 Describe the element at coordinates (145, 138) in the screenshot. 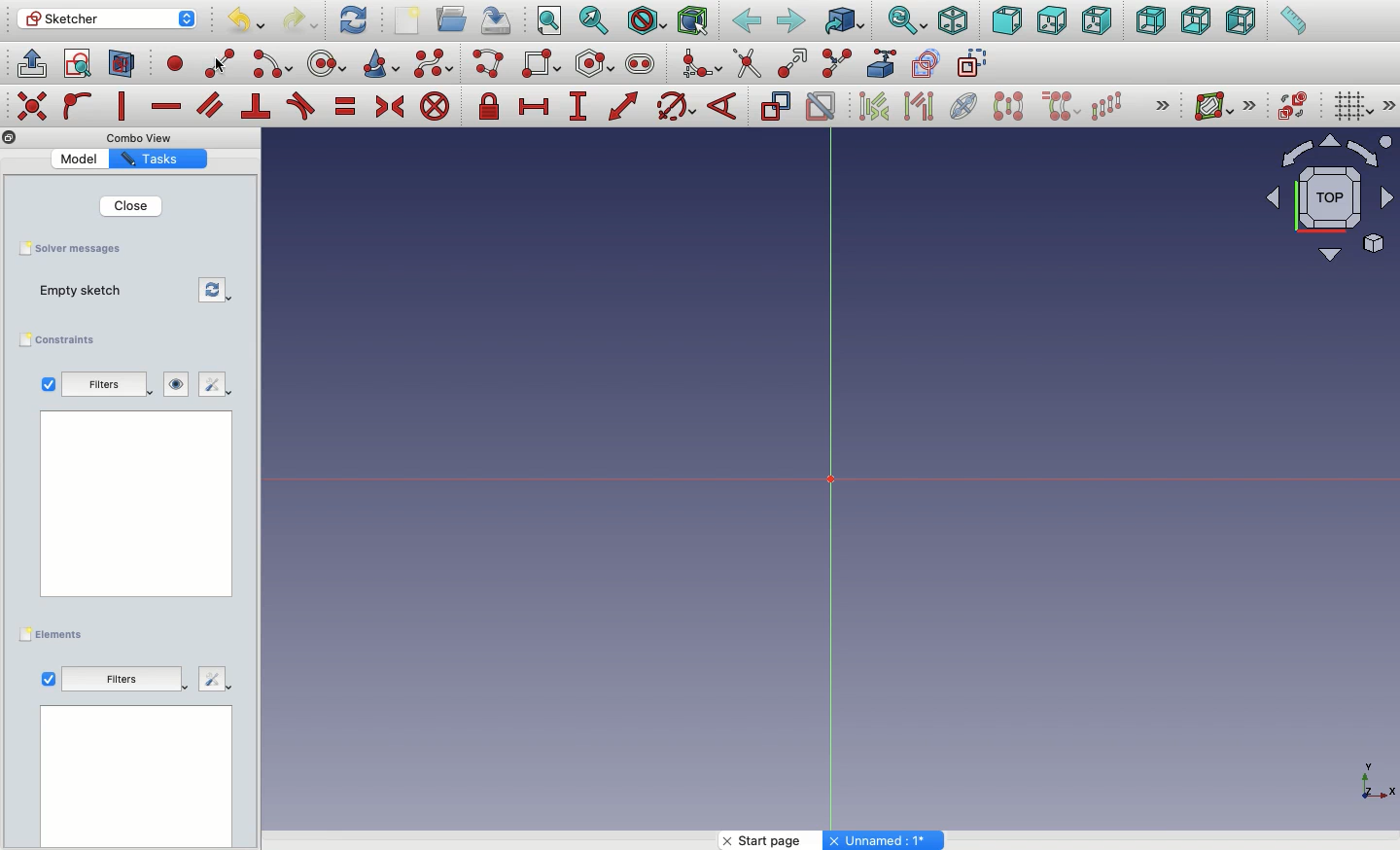

I see `` at that location.